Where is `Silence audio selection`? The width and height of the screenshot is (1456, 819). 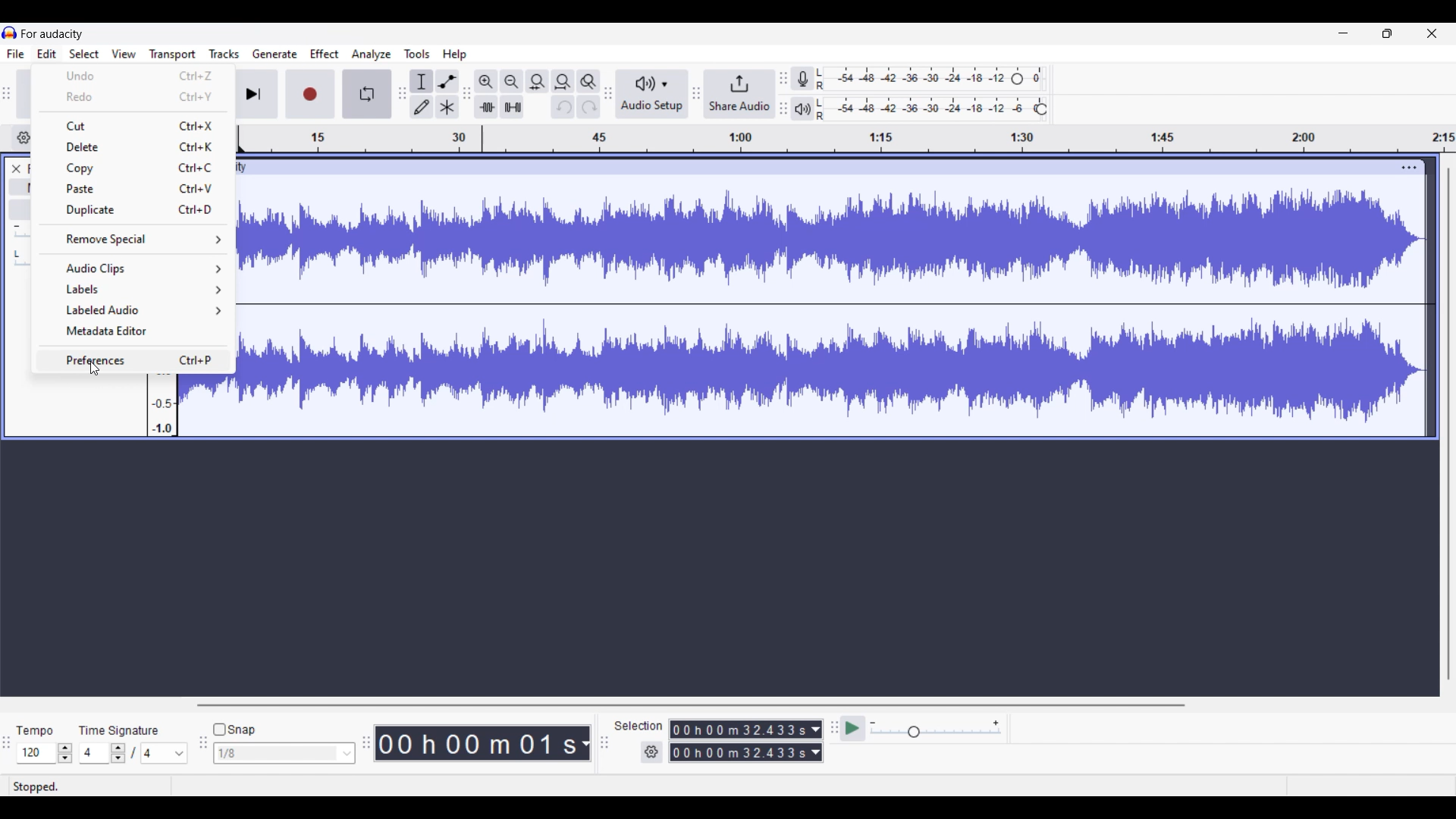 Silence audio selection is located at coordinates (512, 107).